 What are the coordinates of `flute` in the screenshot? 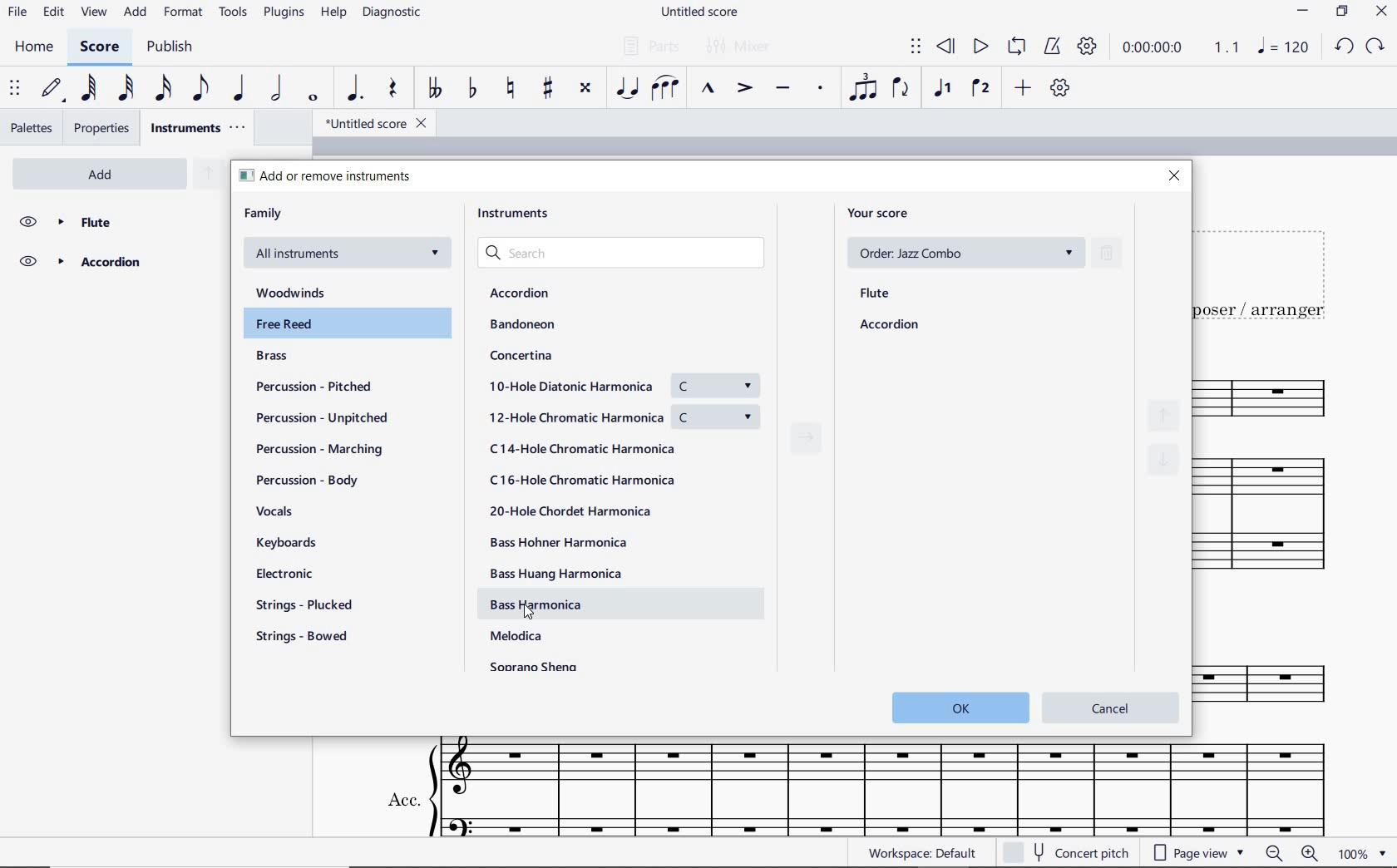 It's located at (116, 220).